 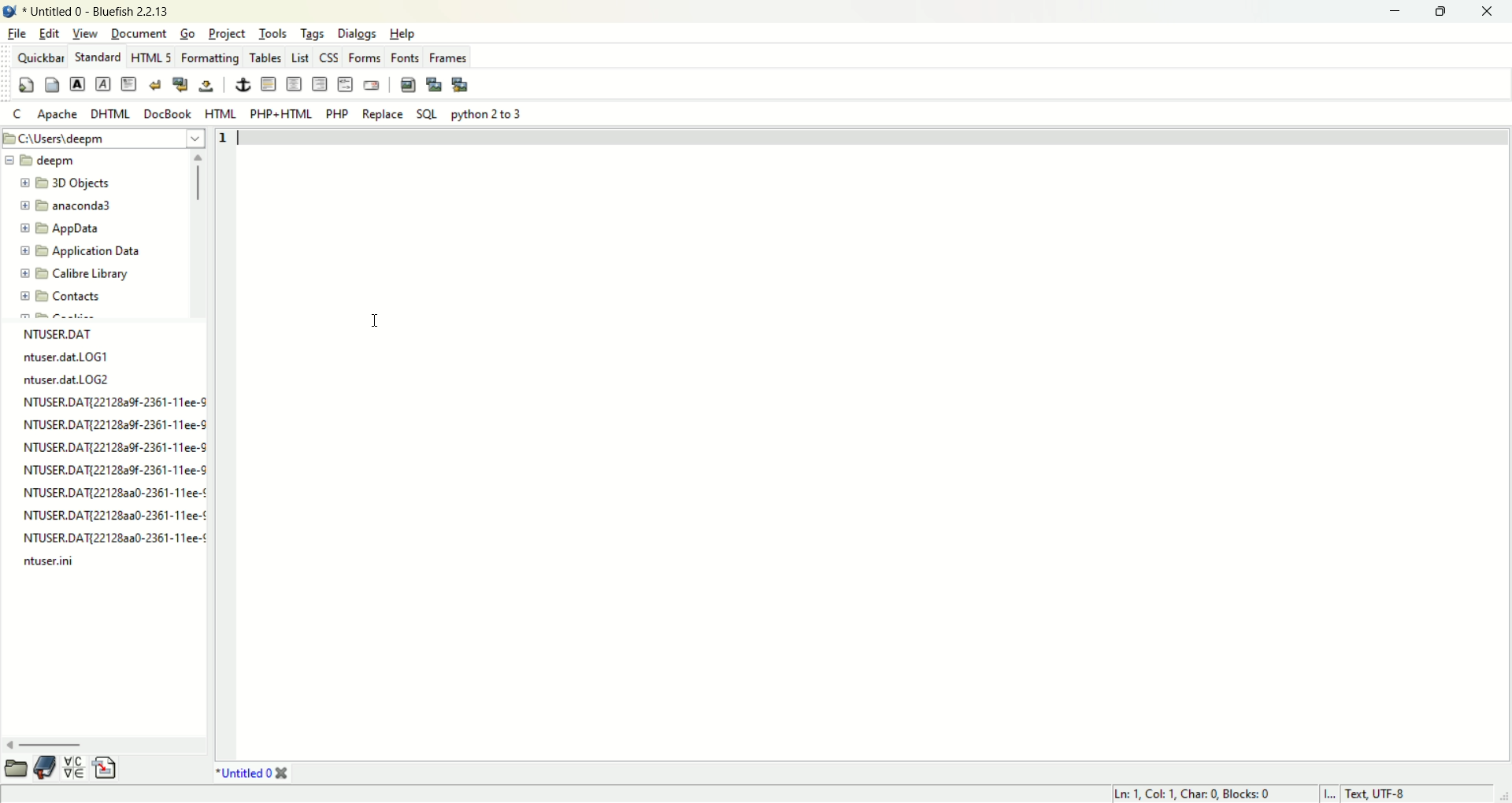 I want to click on file name, so click(x=63, y=333).